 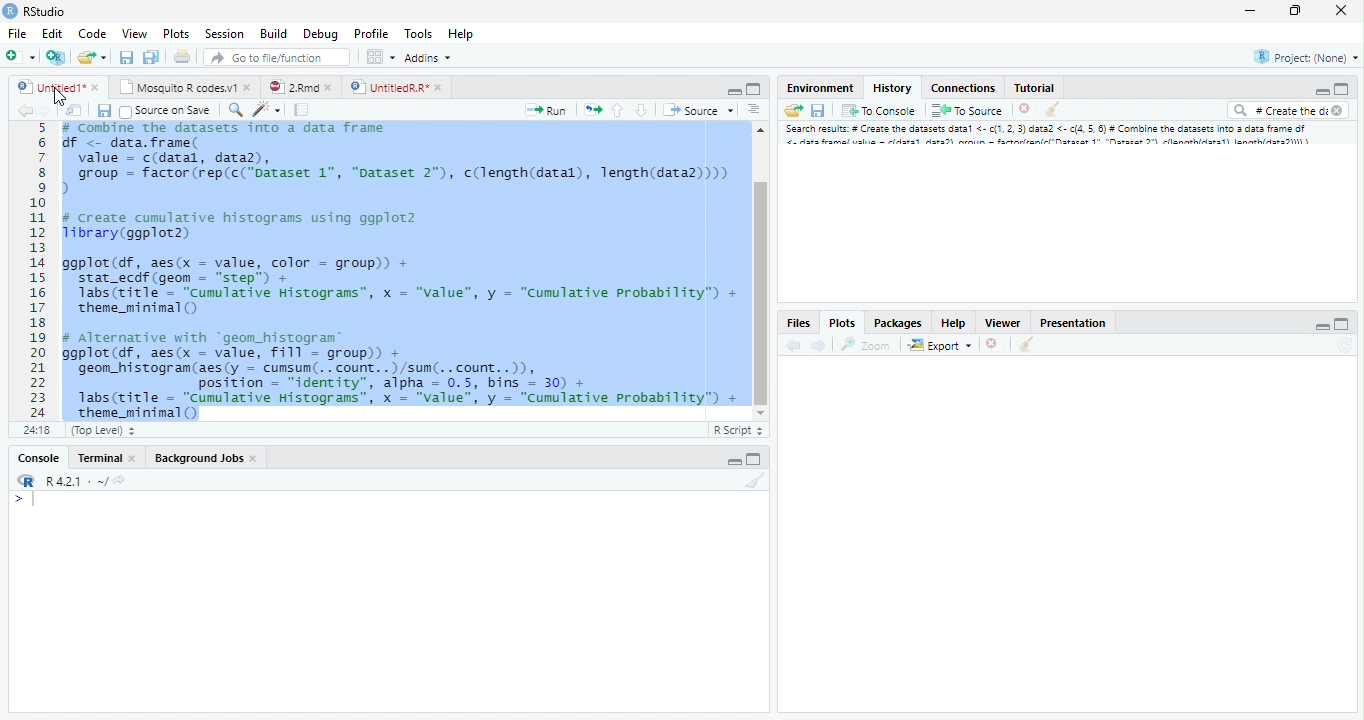 What do you see at coordinates (104, 111) in the screenshot?
I see `Save` at bounding box center [104, 111].